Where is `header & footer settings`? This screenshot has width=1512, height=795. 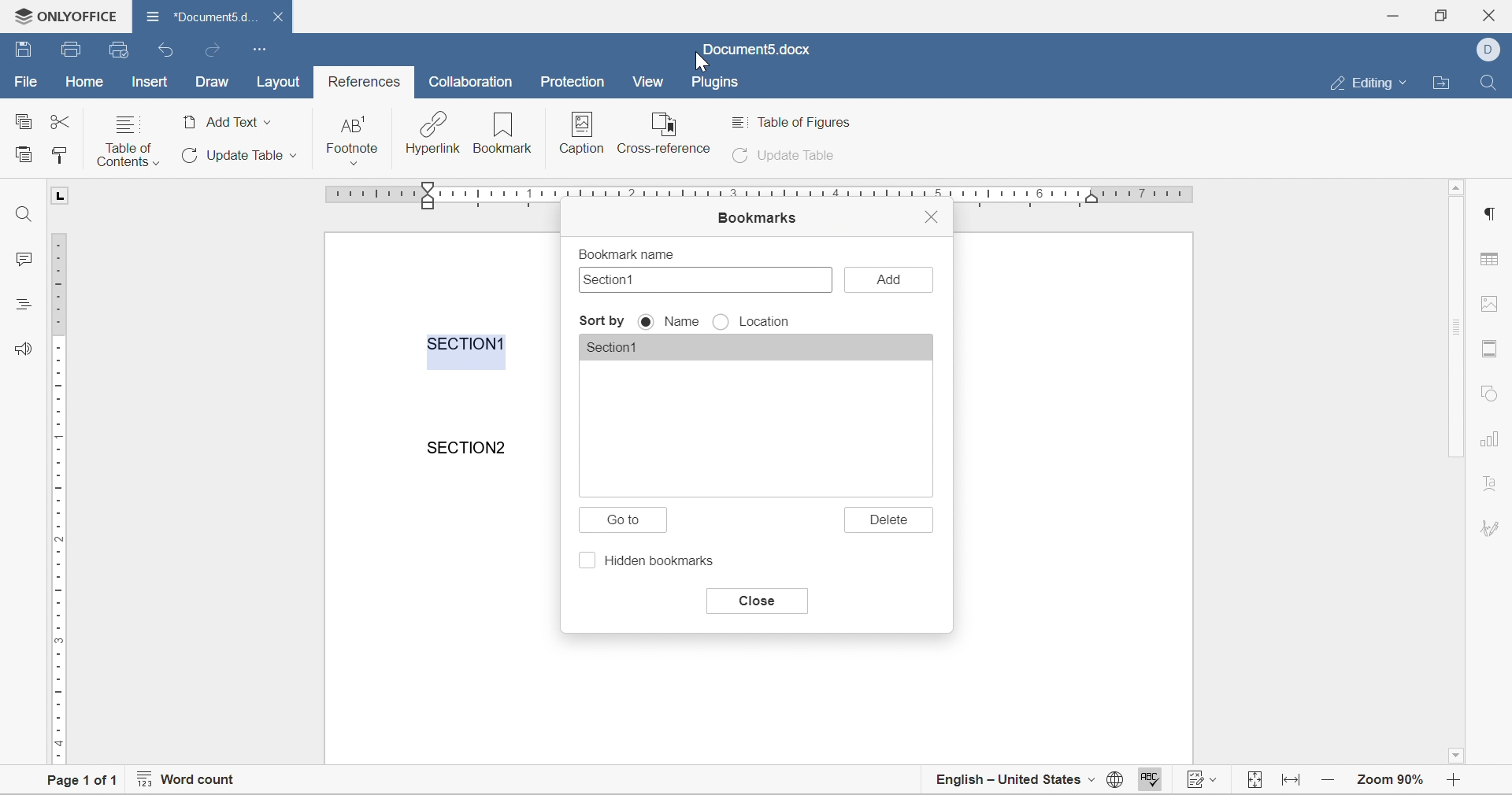
header & footer settings is located at coordinates (1488, 349).